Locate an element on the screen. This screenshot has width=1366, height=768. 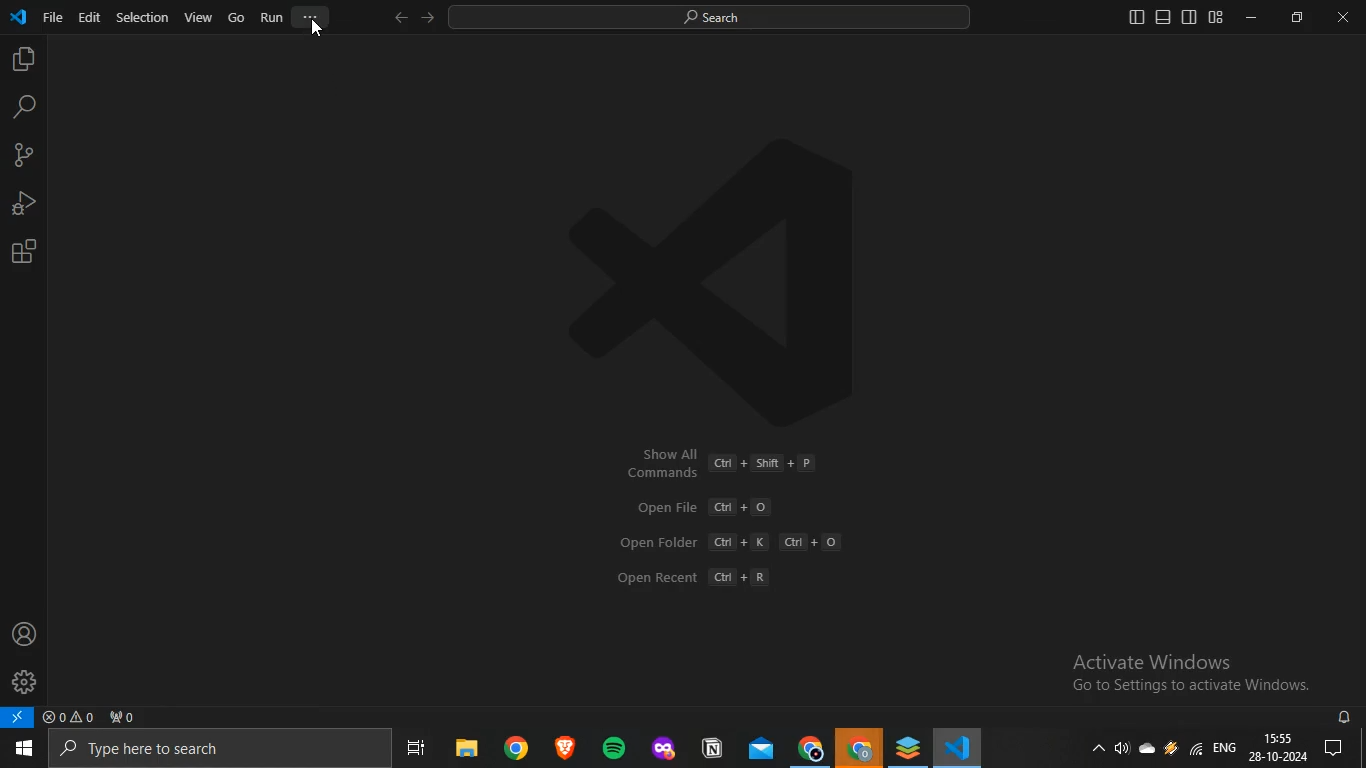
show hidden icons is located at coordinates (1100, 752).